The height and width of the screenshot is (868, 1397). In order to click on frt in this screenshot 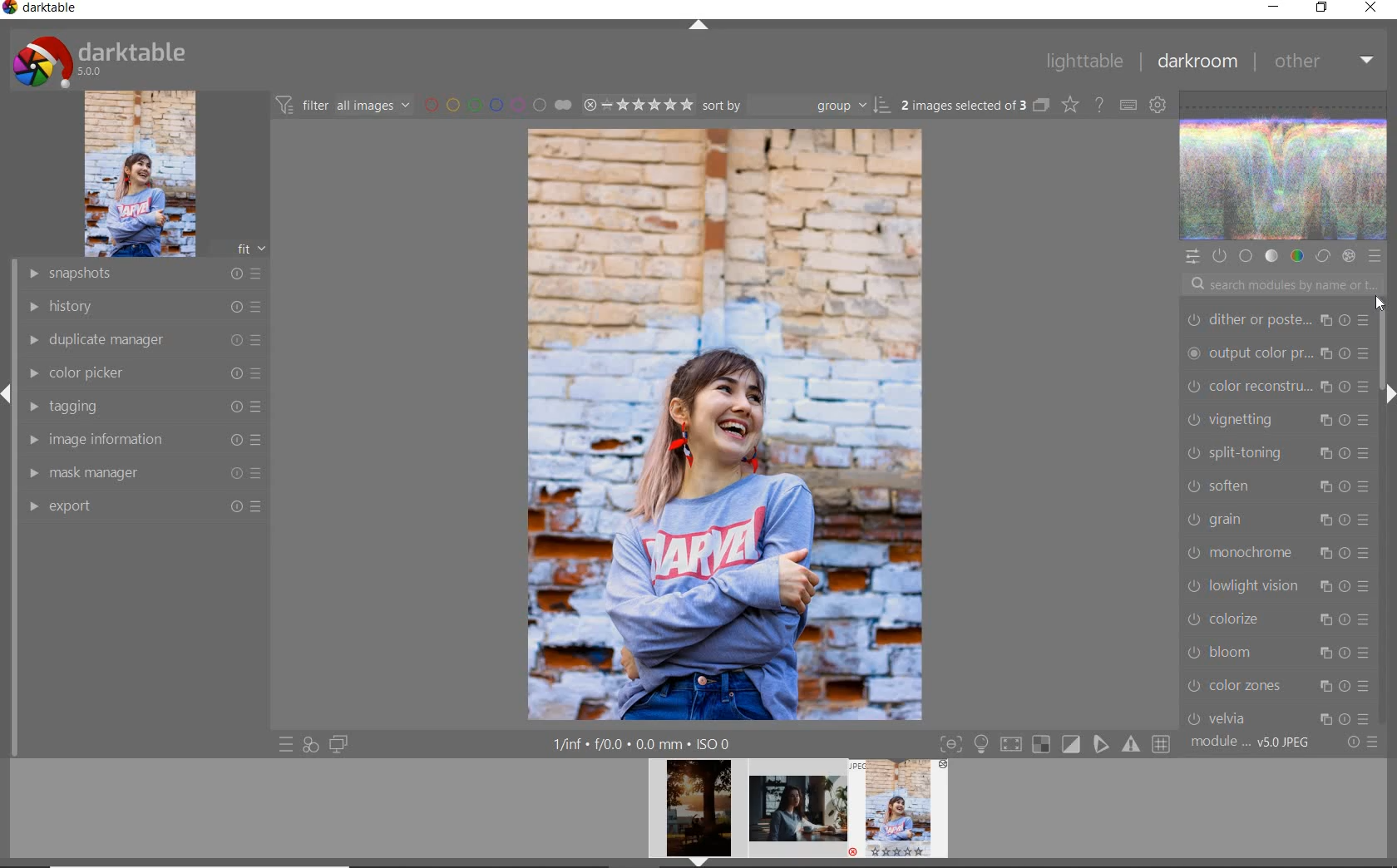, I will do `click(250, 246)`.